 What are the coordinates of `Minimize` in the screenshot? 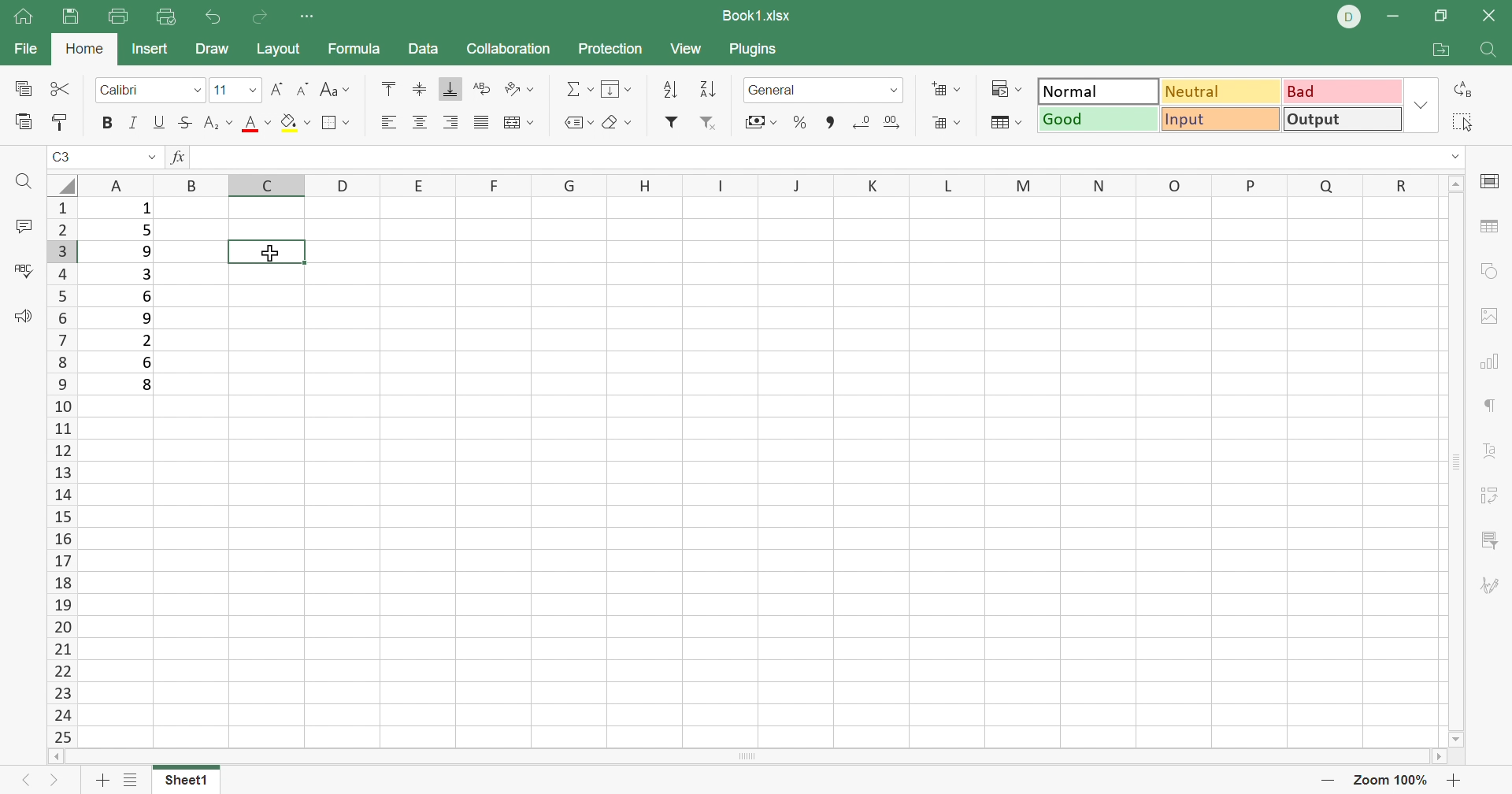 It's located at (1393, 17).